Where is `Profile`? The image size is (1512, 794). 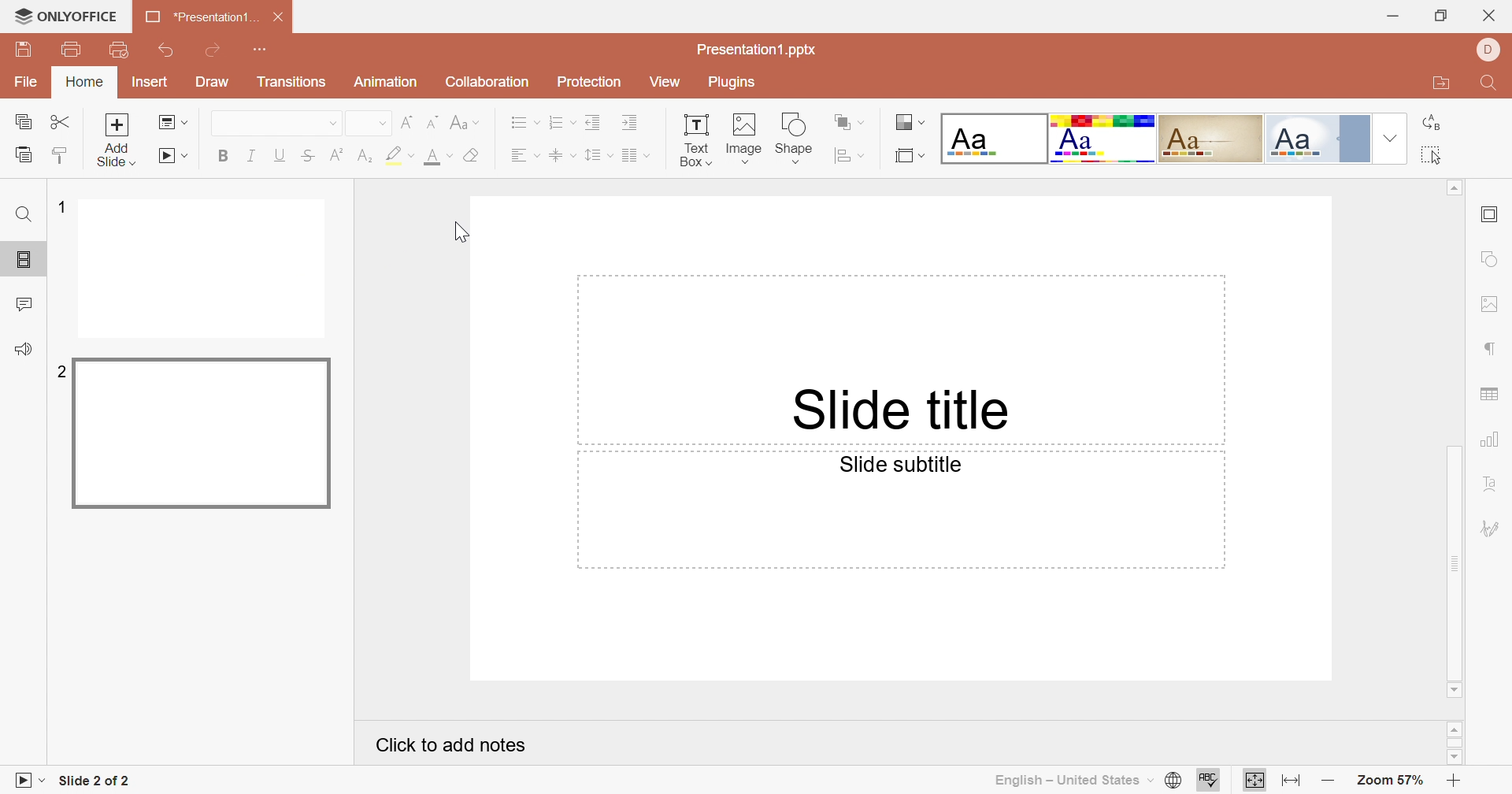
Profile is located at coordinates (1489, 51).